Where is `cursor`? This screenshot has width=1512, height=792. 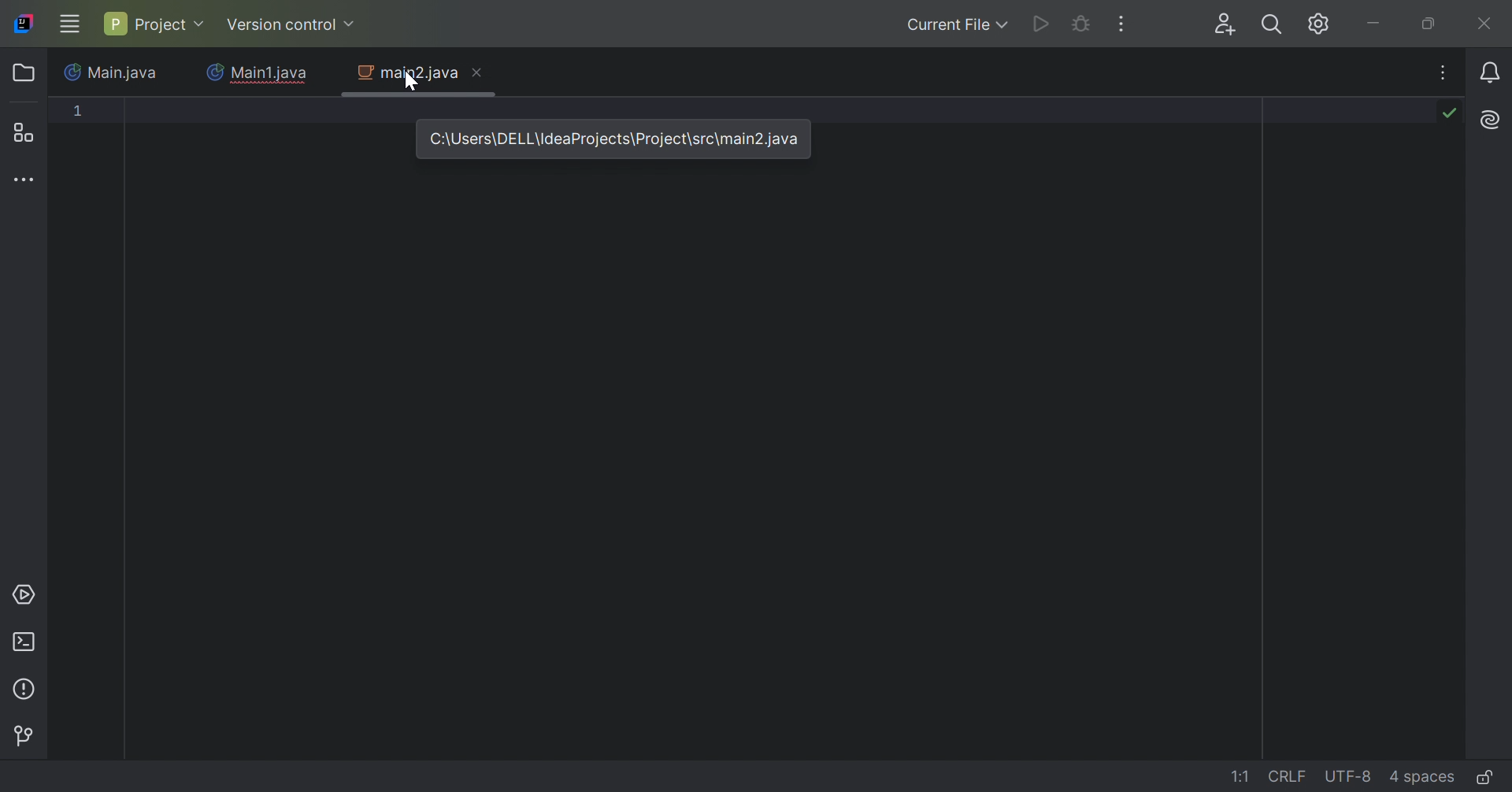 cursor is located at coordinates (412, 85).